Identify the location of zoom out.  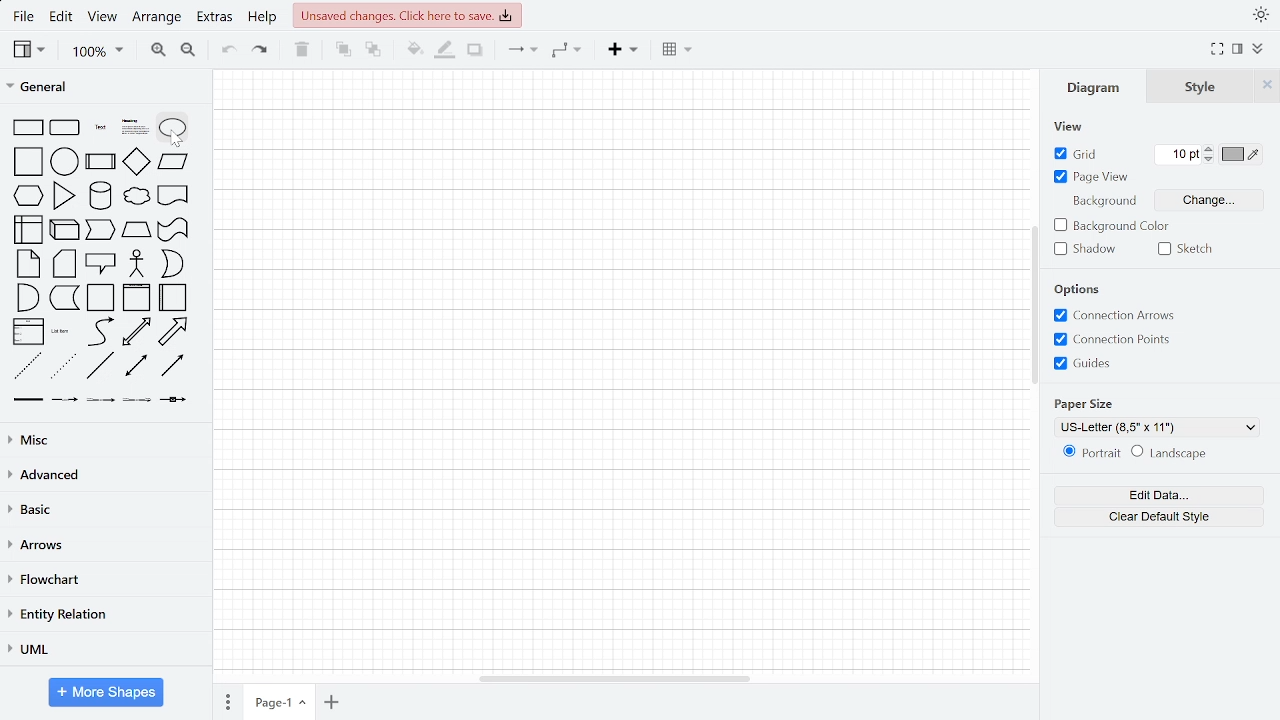
(186, 50).